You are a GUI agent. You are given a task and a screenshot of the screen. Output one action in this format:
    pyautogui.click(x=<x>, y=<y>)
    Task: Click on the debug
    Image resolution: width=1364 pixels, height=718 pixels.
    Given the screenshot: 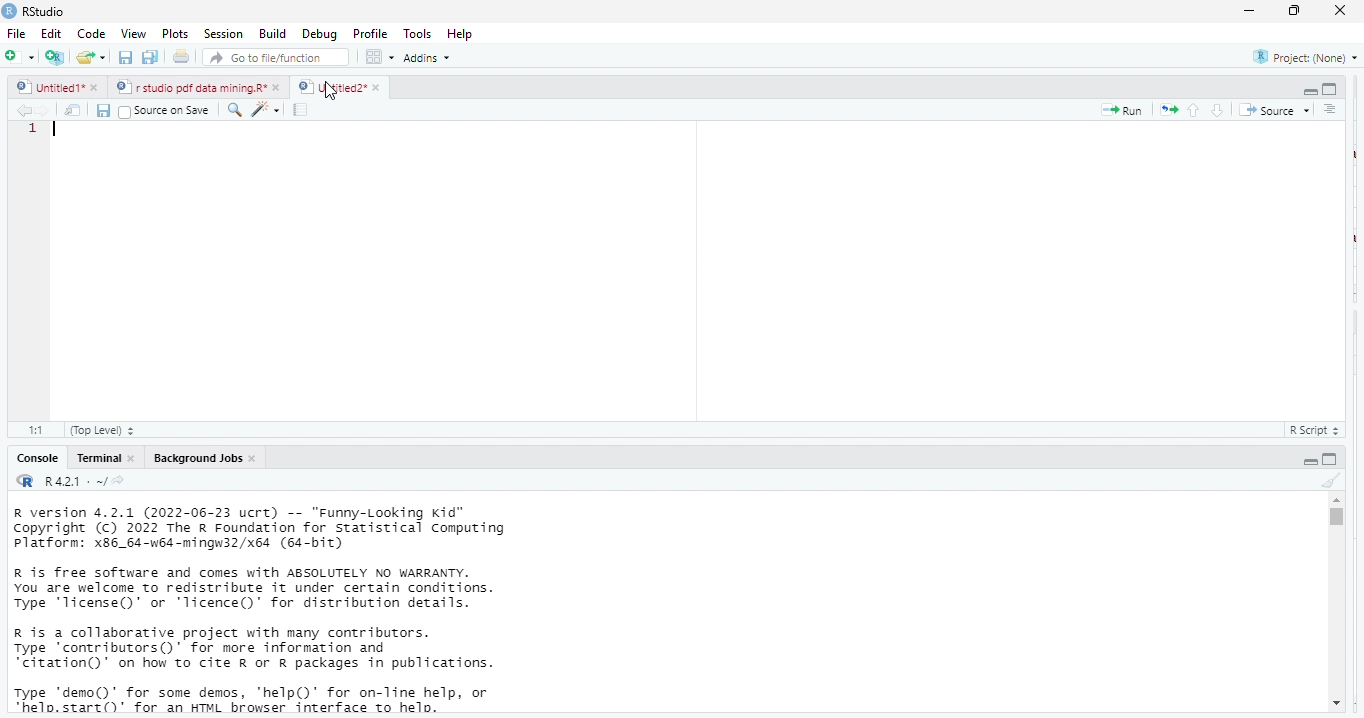 What is the action you would take?
    pyautogui.click(x=317, y=33)
    